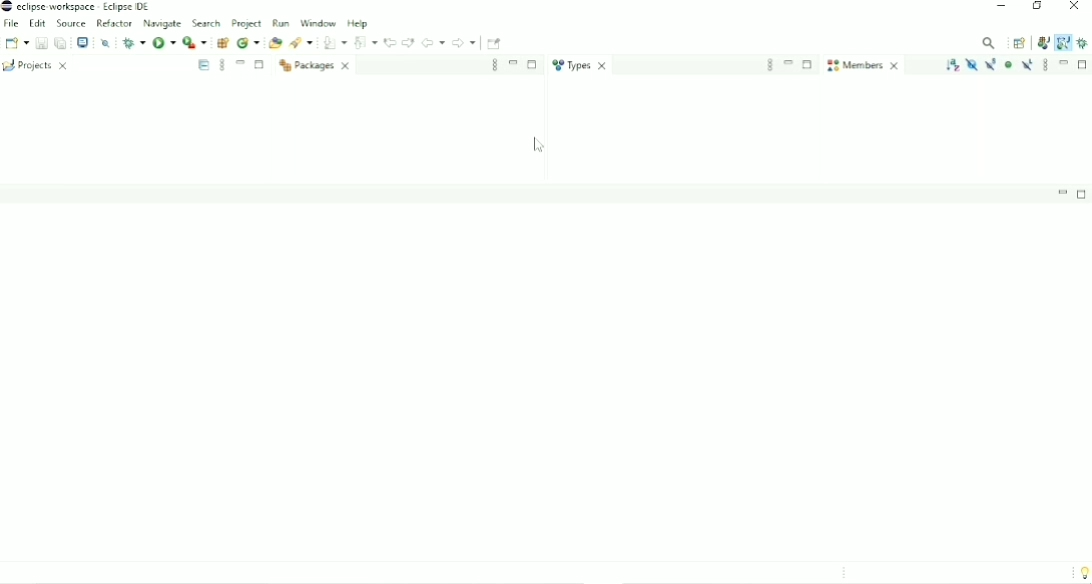  What do you see at coordinates (864, 66) in the screenshot?
I see `Members` at bounding box center [864, 66].